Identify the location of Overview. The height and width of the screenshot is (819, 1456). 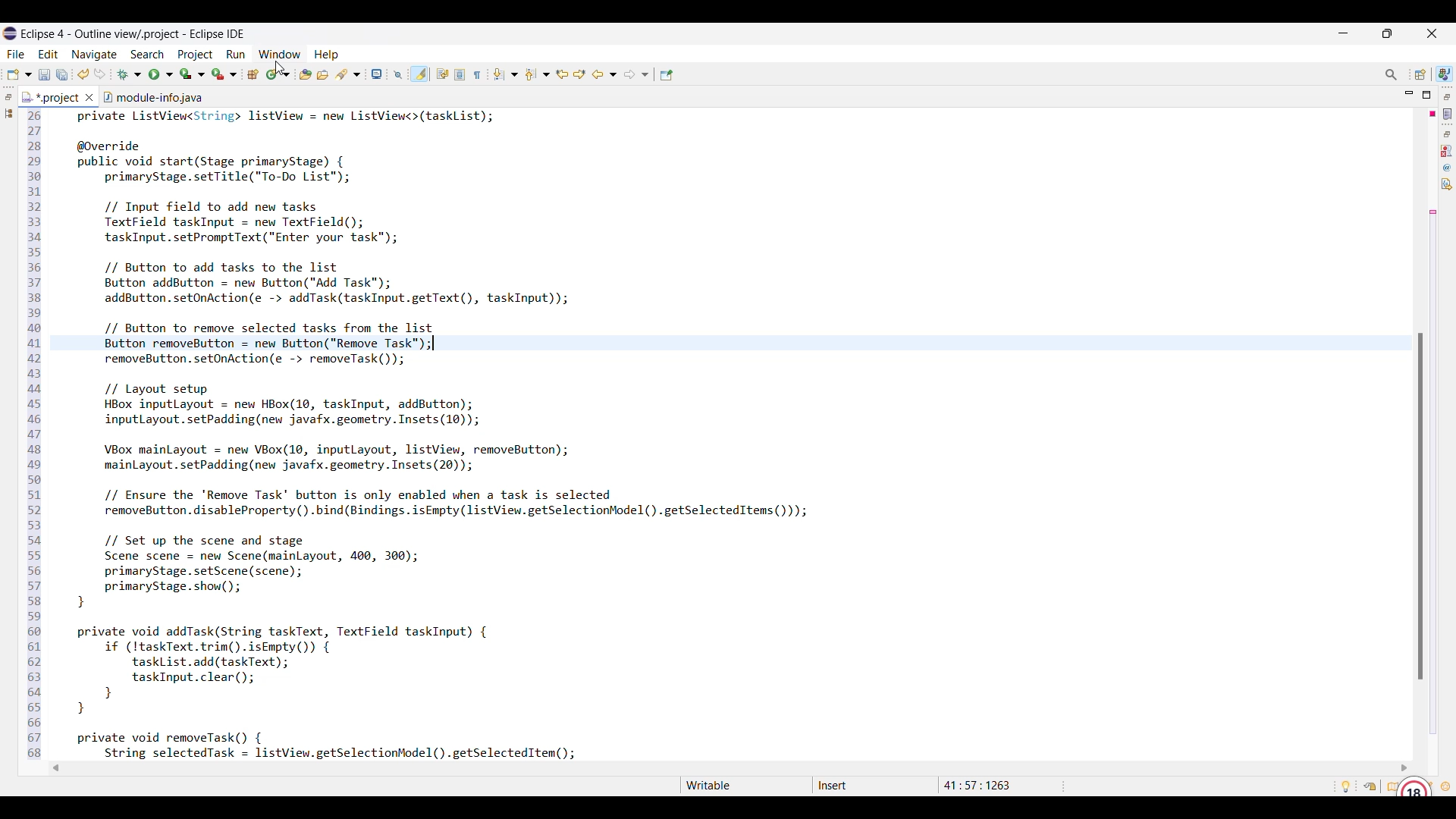
(1389, 786).